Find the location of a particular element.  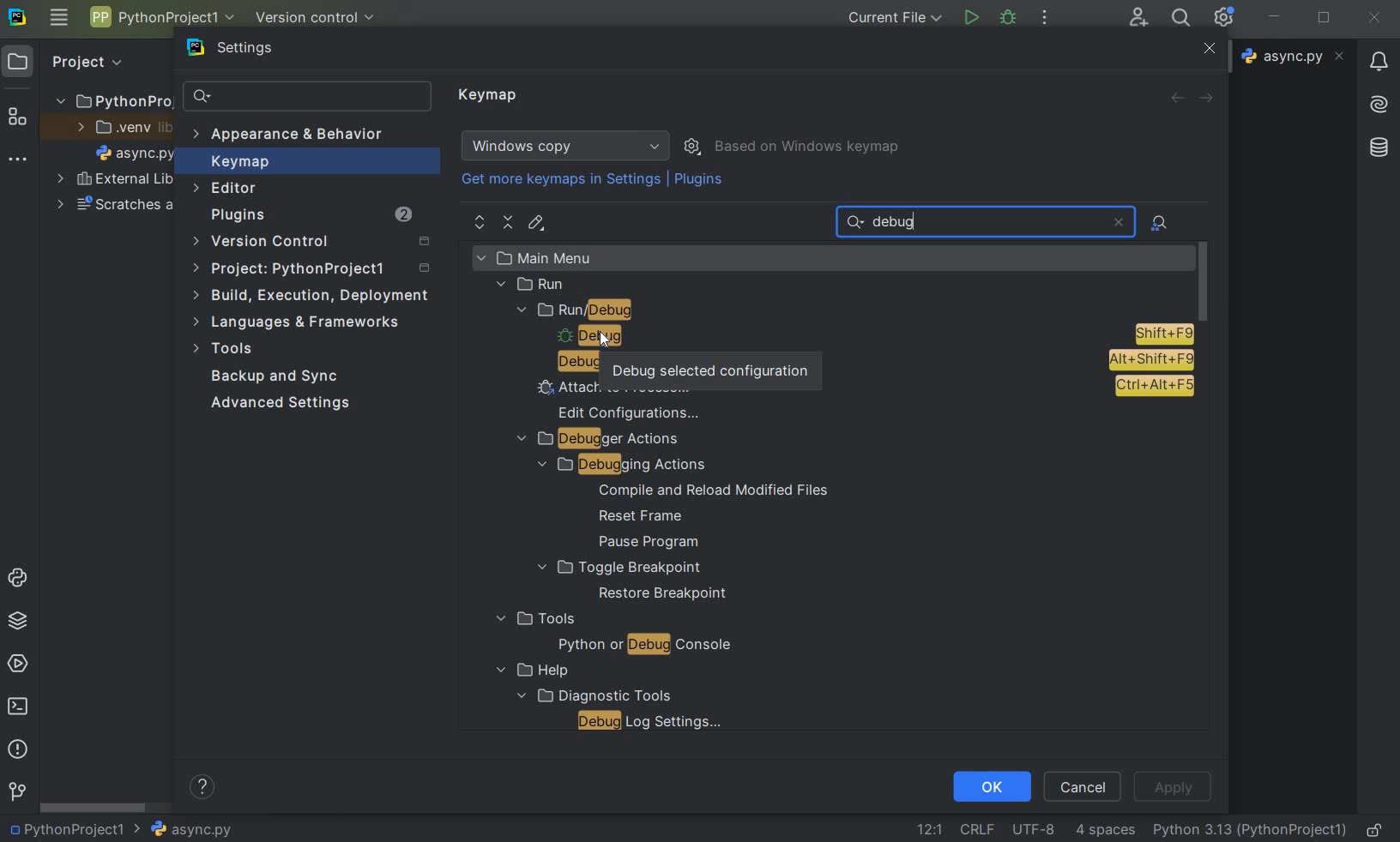

python console is located at coordinates (21, 579).